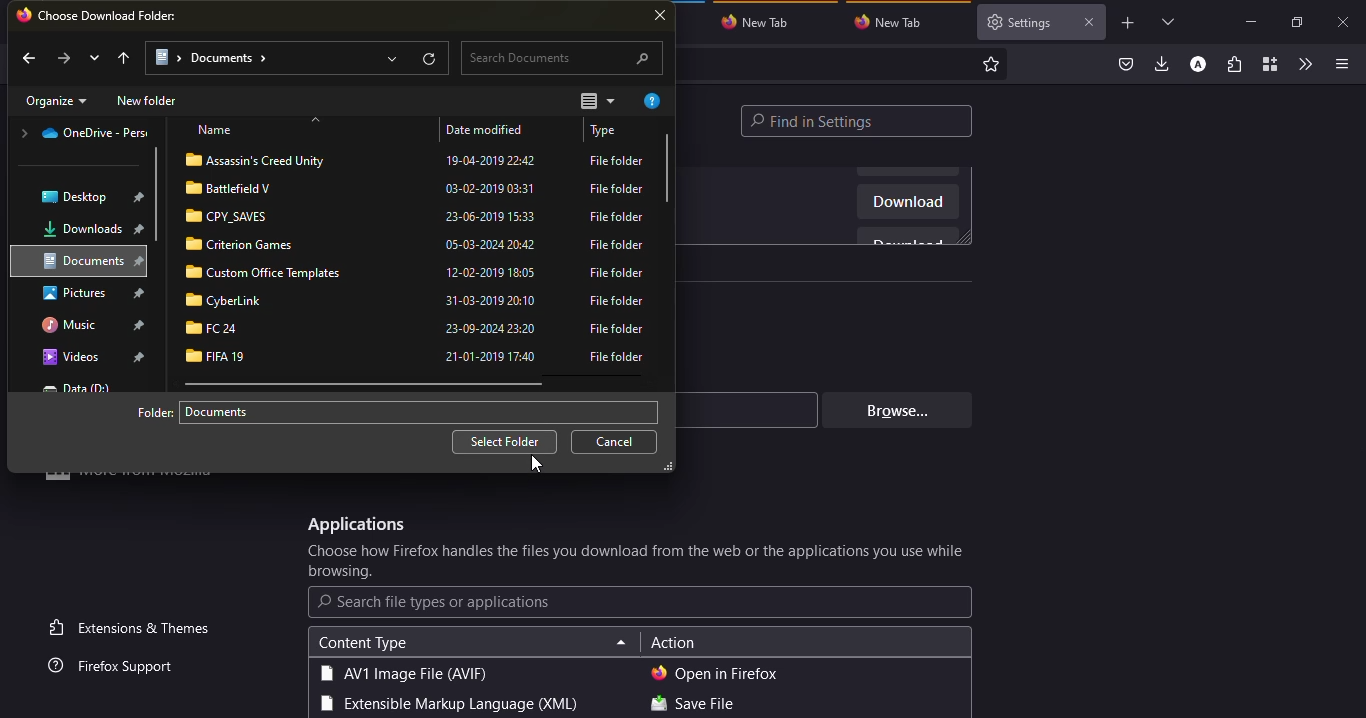 This screenshot has width=1366, height=718. What do you see at coordinates (857, 121) in the screenshot?
I see `find` at bounding box center [857, 121].